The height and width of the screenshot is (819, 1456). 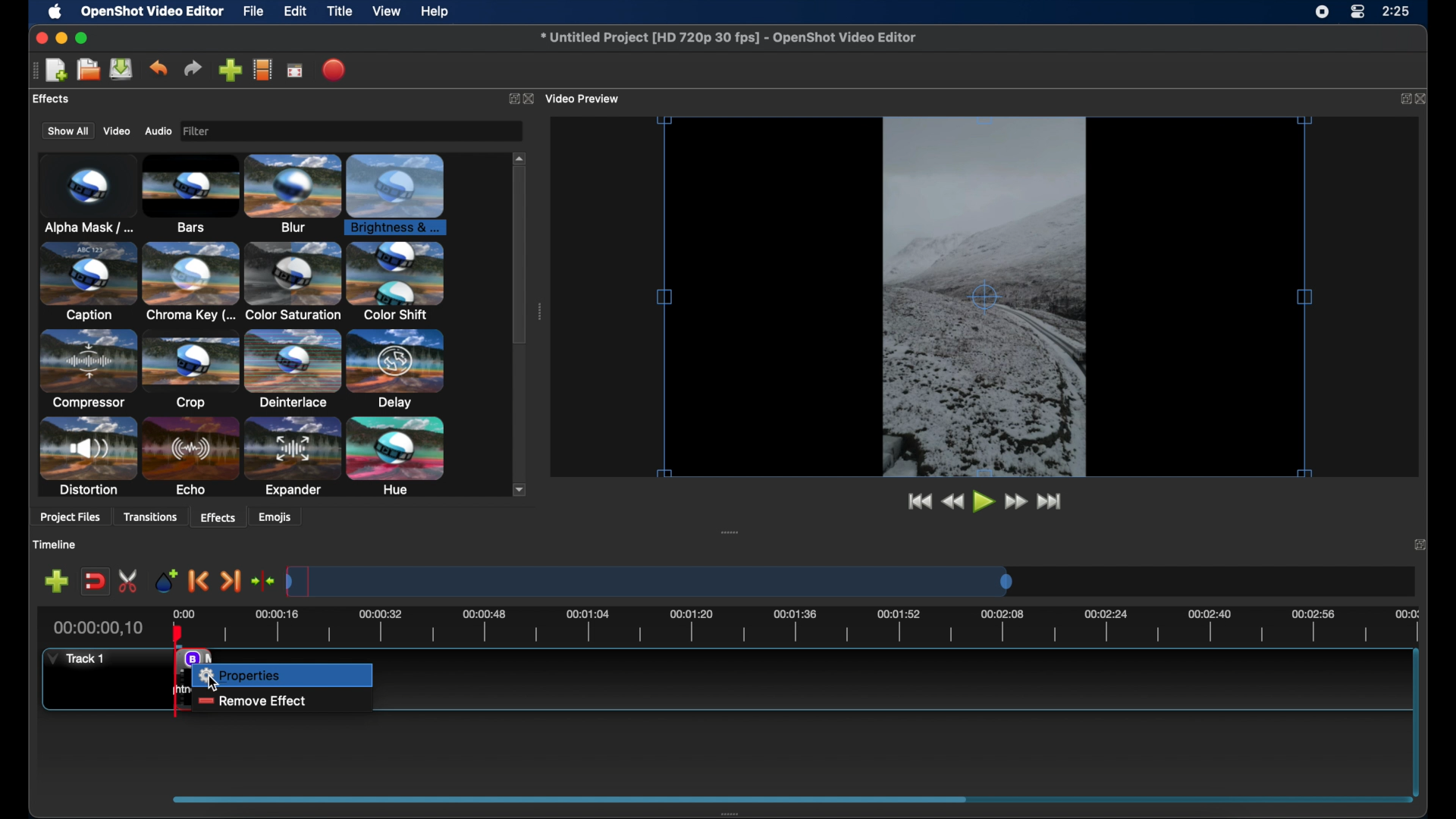 What do you see at coordinates (165, 579) in the screenshot?
I see `add marker` at bounding box center [165, 579].